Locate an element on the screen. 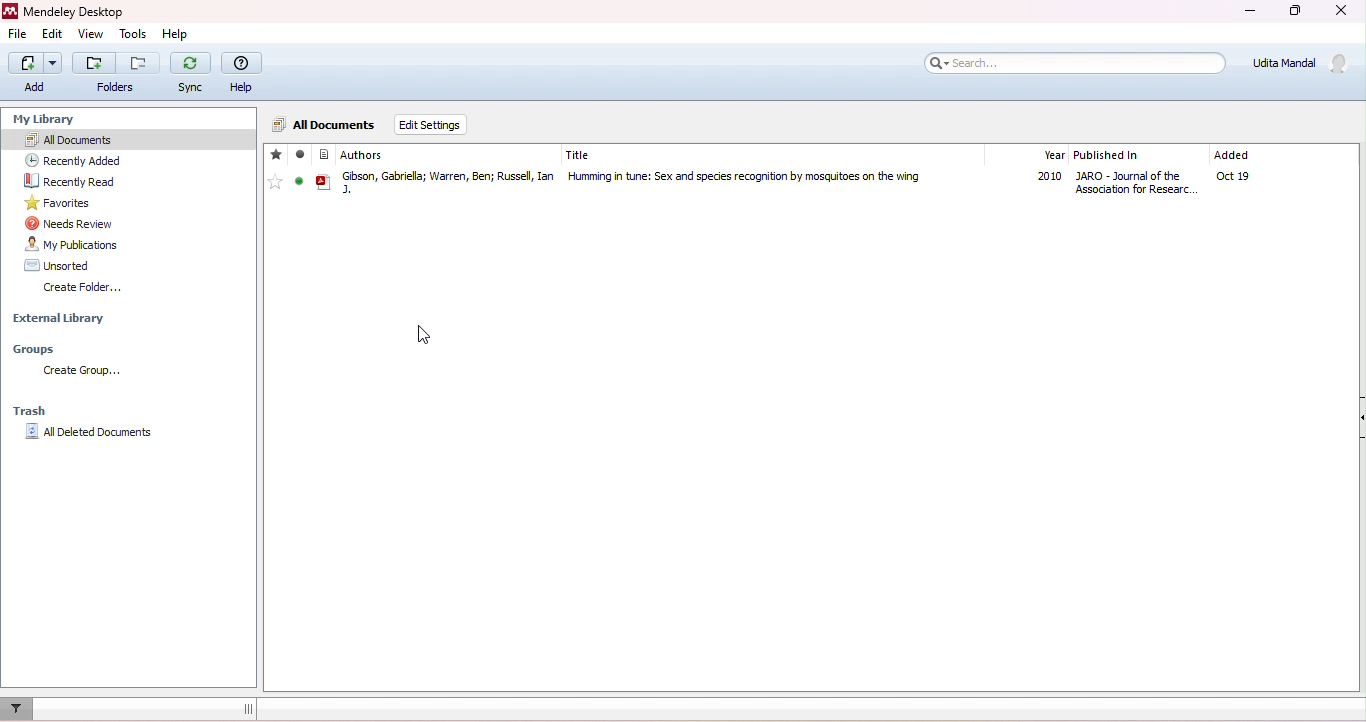 This screenshot has height=722, width=1366. dragging line is located at coordinates (248, 709).